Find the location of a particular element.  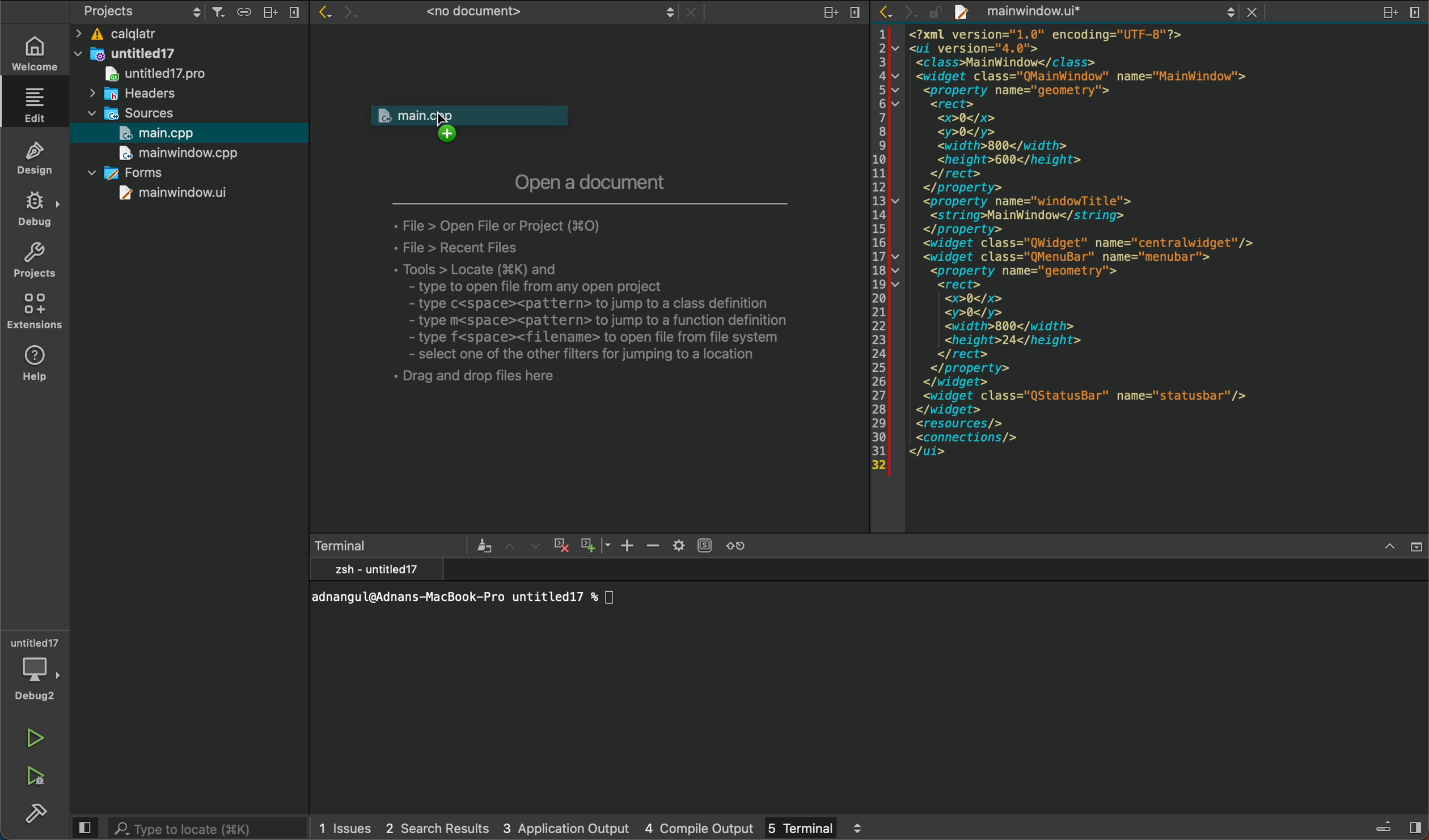

previous item is located at coordinates (512, 546).